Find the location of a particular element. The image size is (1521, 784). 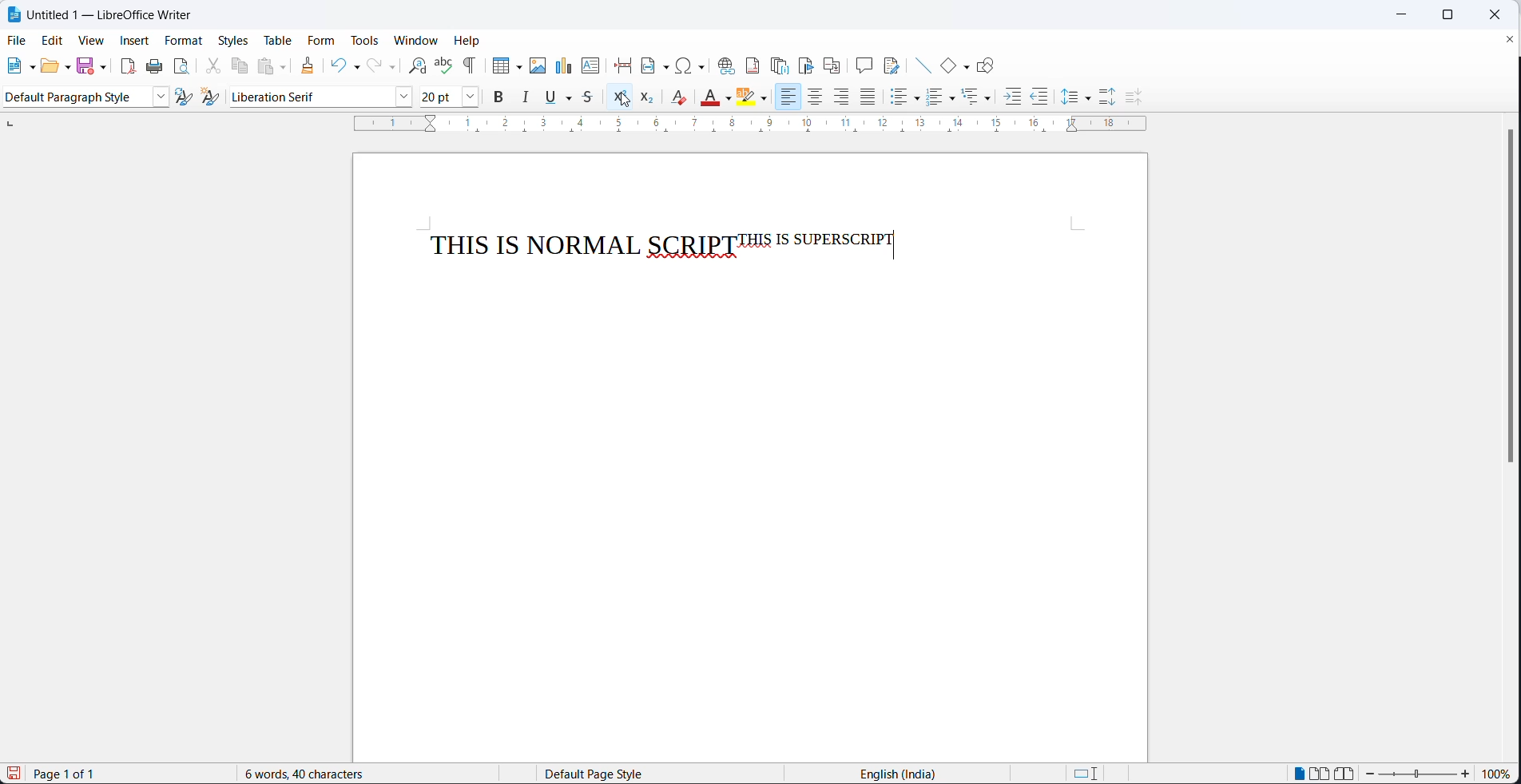

styles is located at coordinates (232, 40).